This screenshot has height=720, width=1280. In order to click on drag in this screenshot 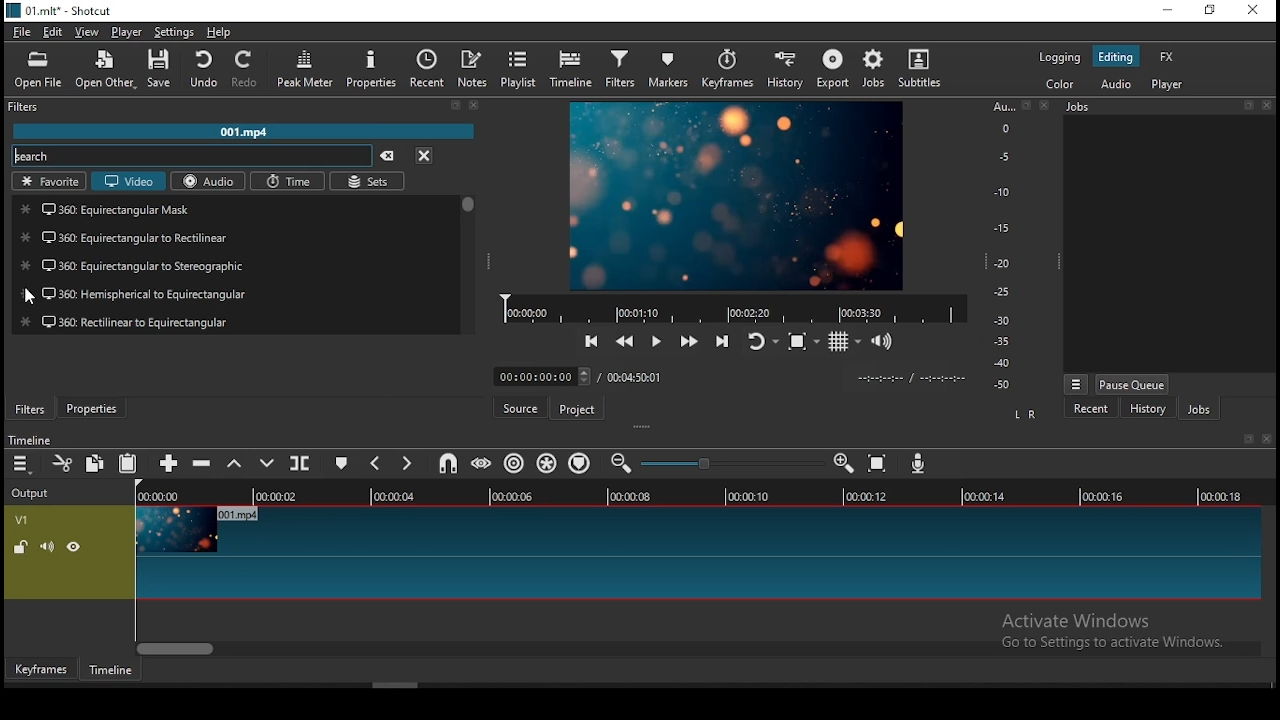, I will do `click(492, 263)`.